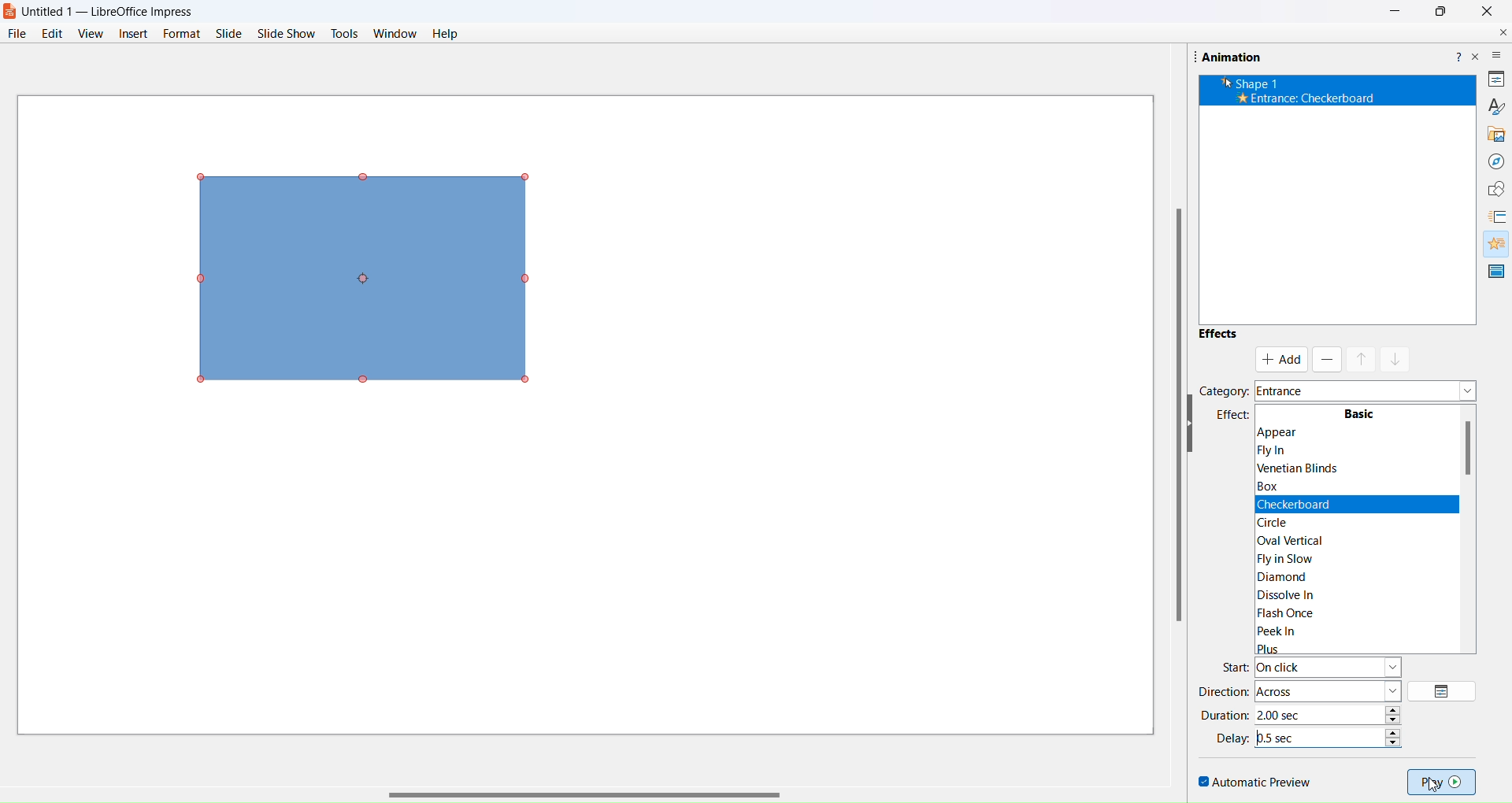 This screenshot has height=803, width=1512. What do you see at coordinates (1495, 80) in the screenshot?
I see `properties` at bounding box center [1495, 80].